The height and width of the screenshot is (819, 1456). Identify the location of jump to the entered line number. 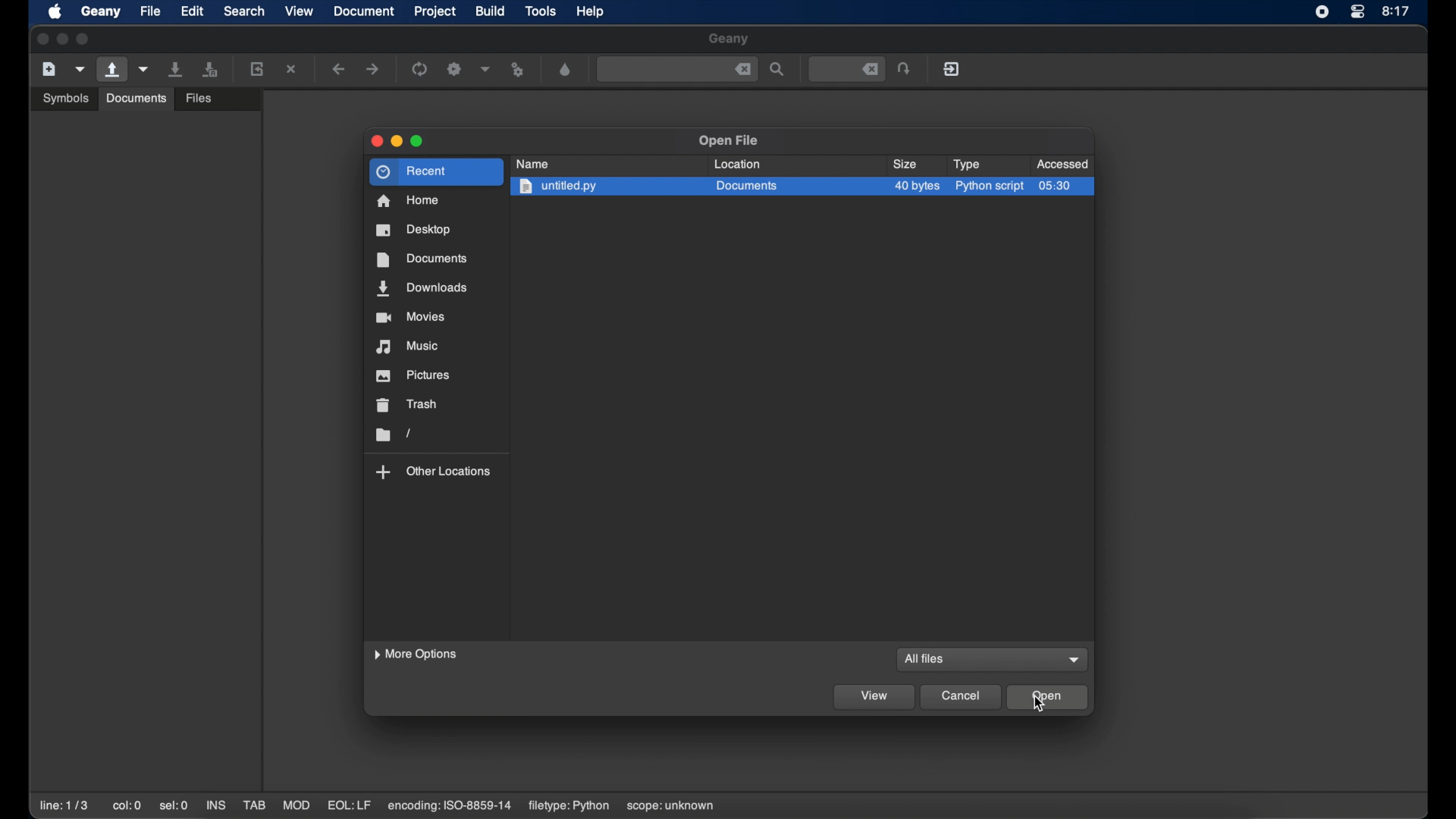
(904, 68).